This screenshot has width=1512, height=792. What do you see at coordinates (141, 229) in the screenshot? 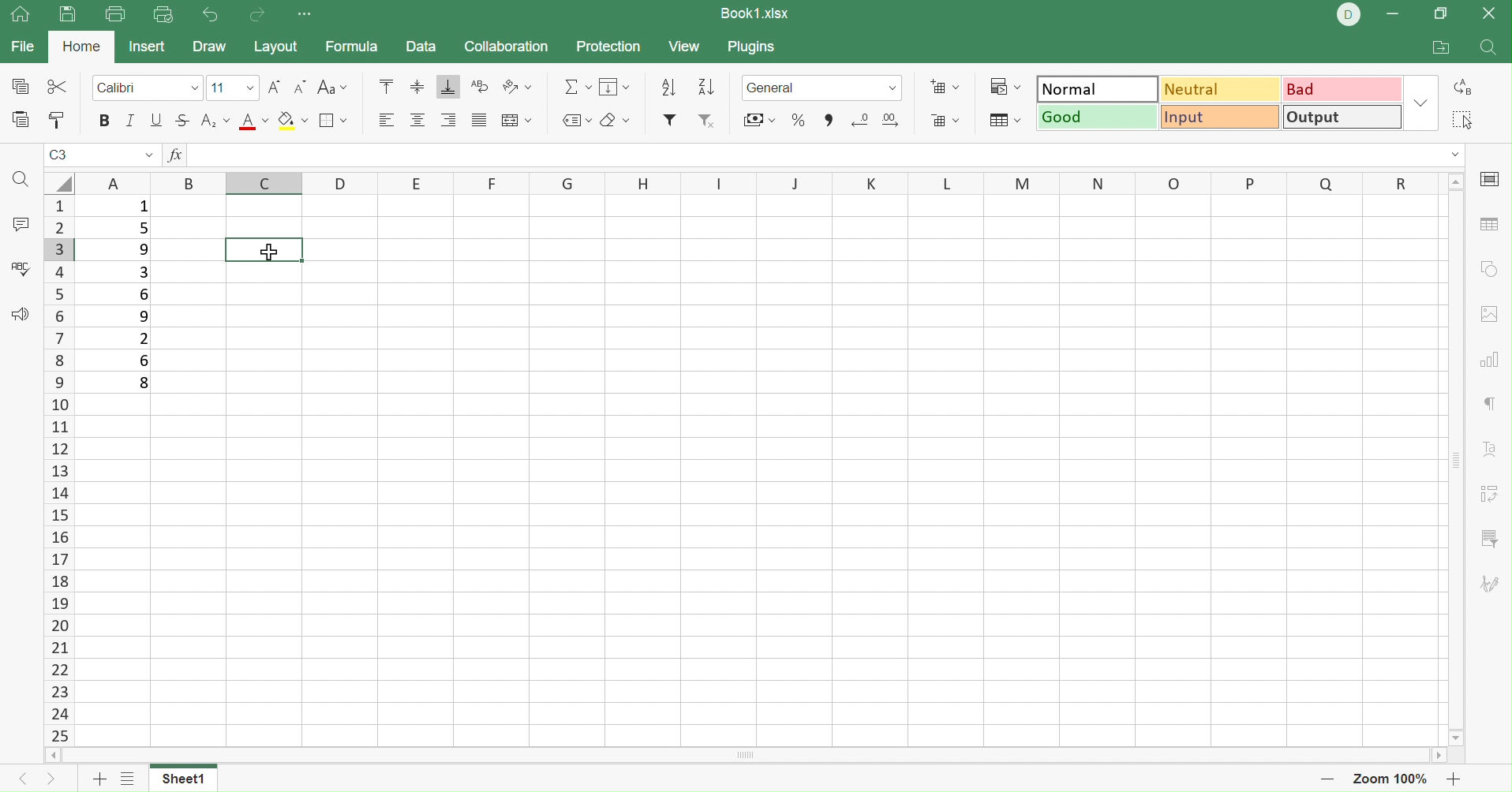
I see `5` at bounding box center [141, 229].